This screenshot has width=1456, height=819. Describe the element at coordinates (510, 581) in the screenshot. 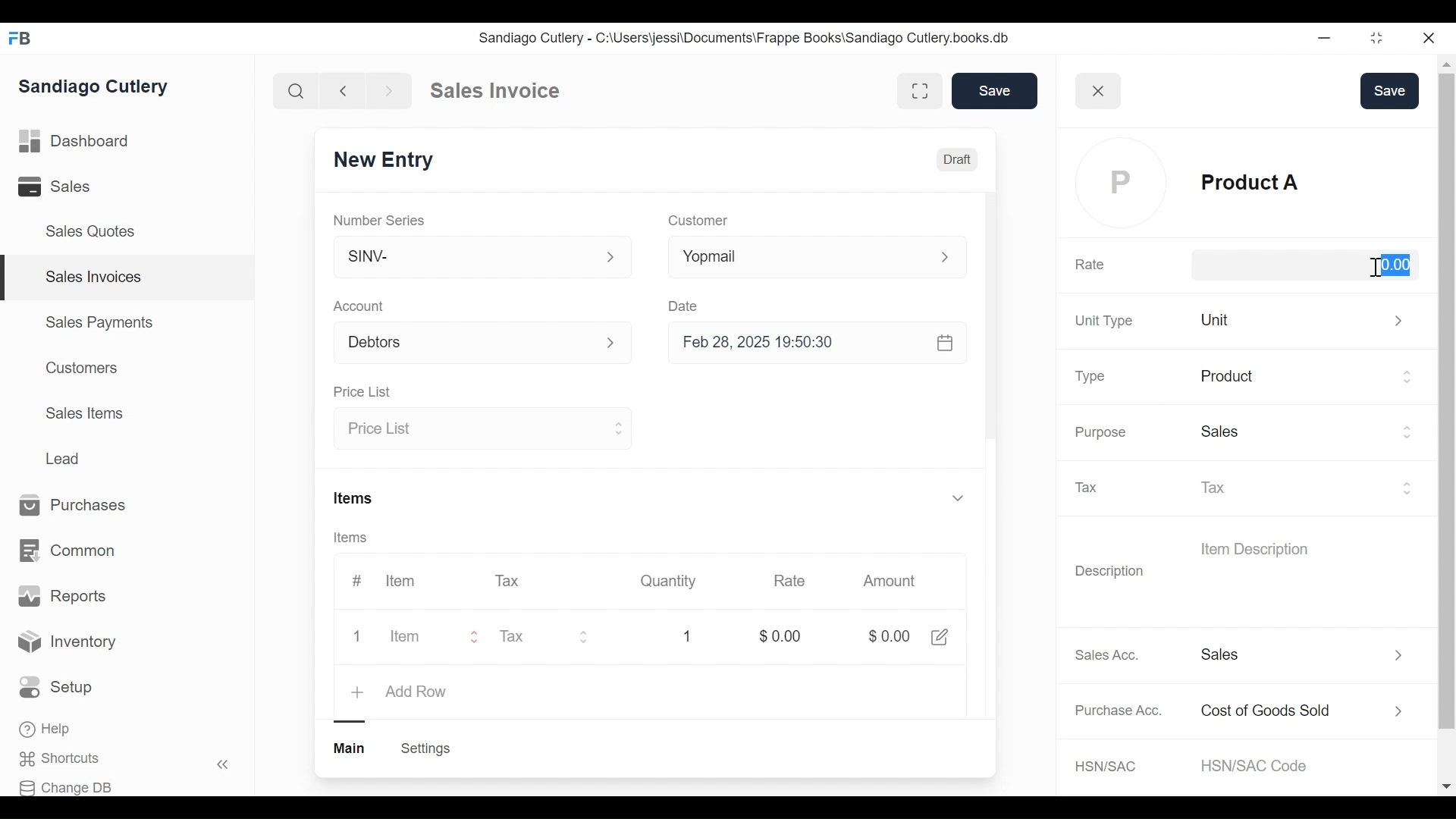

I see `Tax` at that location.